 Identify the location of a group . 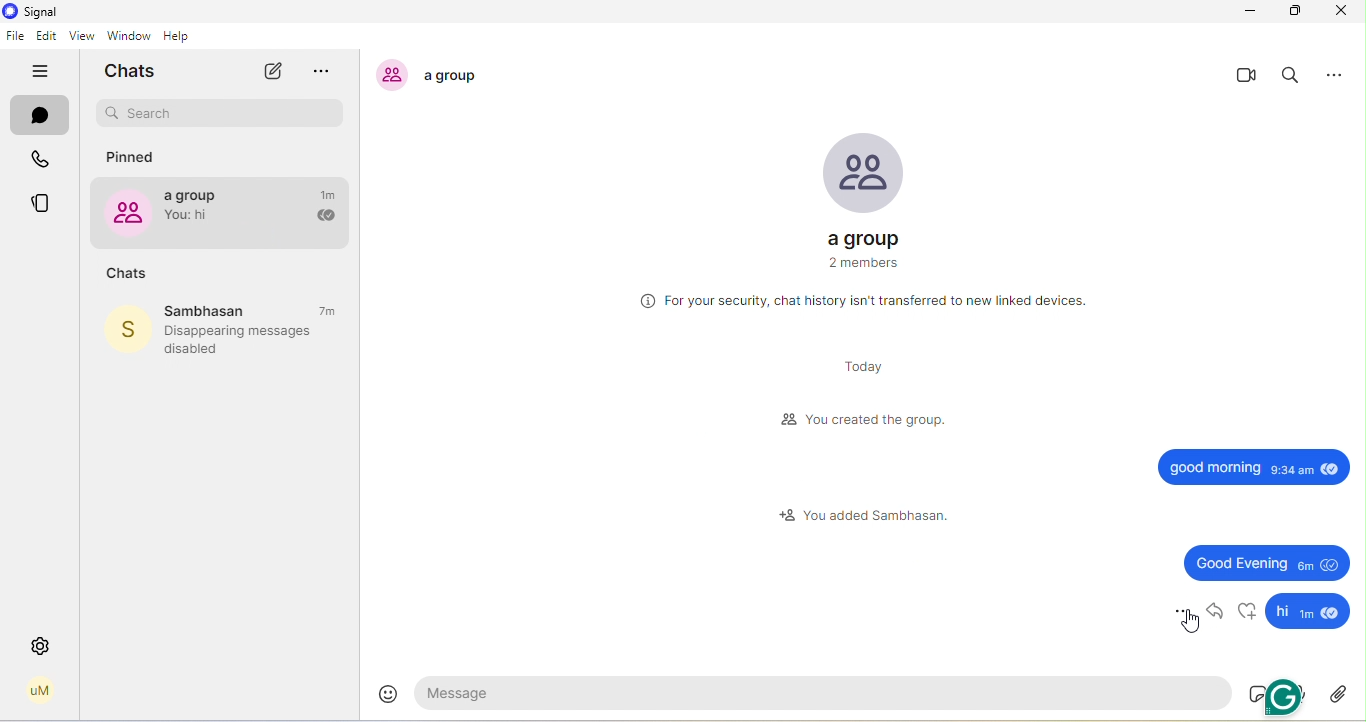
(862, 190).